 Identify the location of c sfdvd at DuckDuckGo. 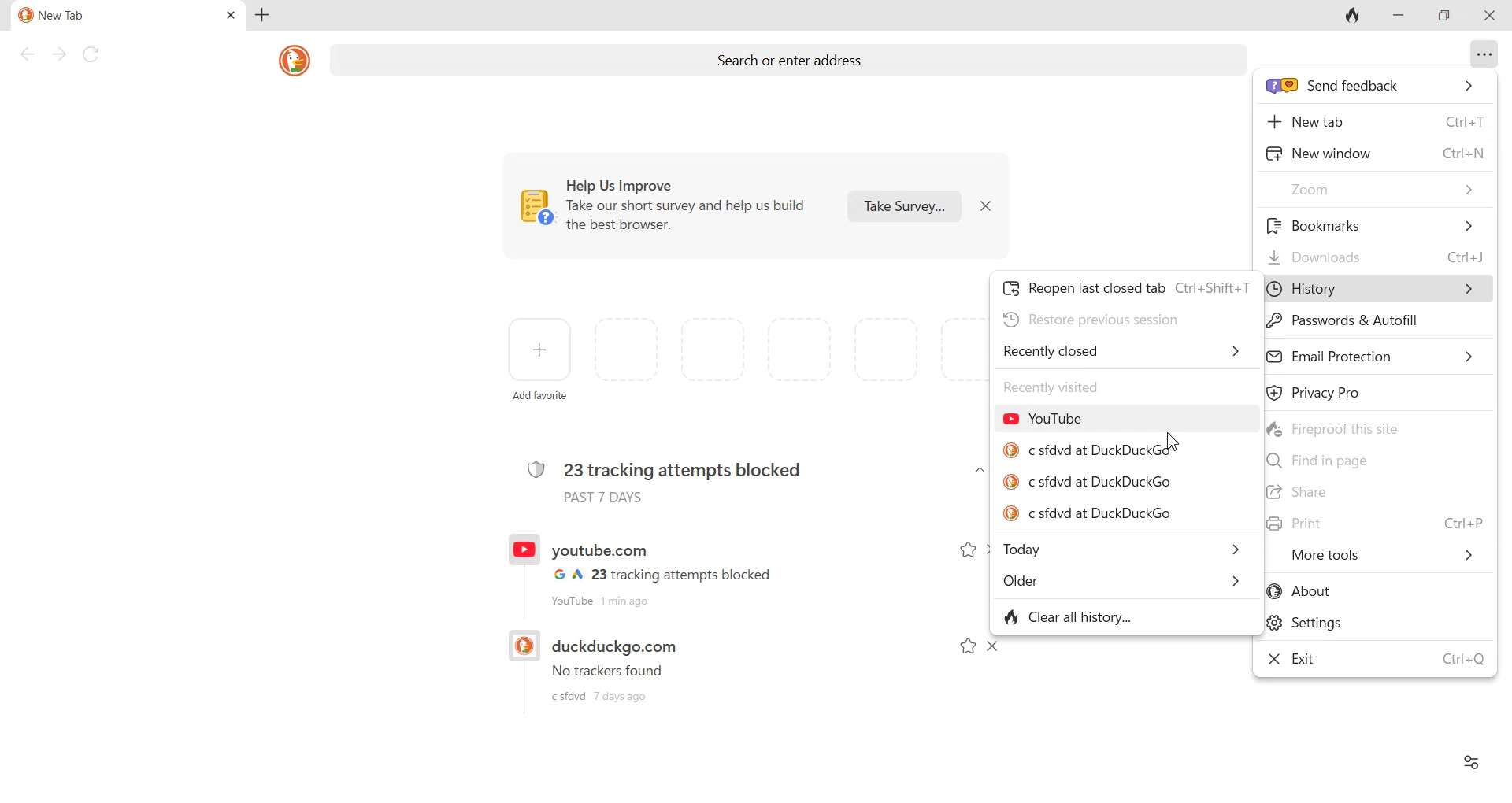
(1095, 482).